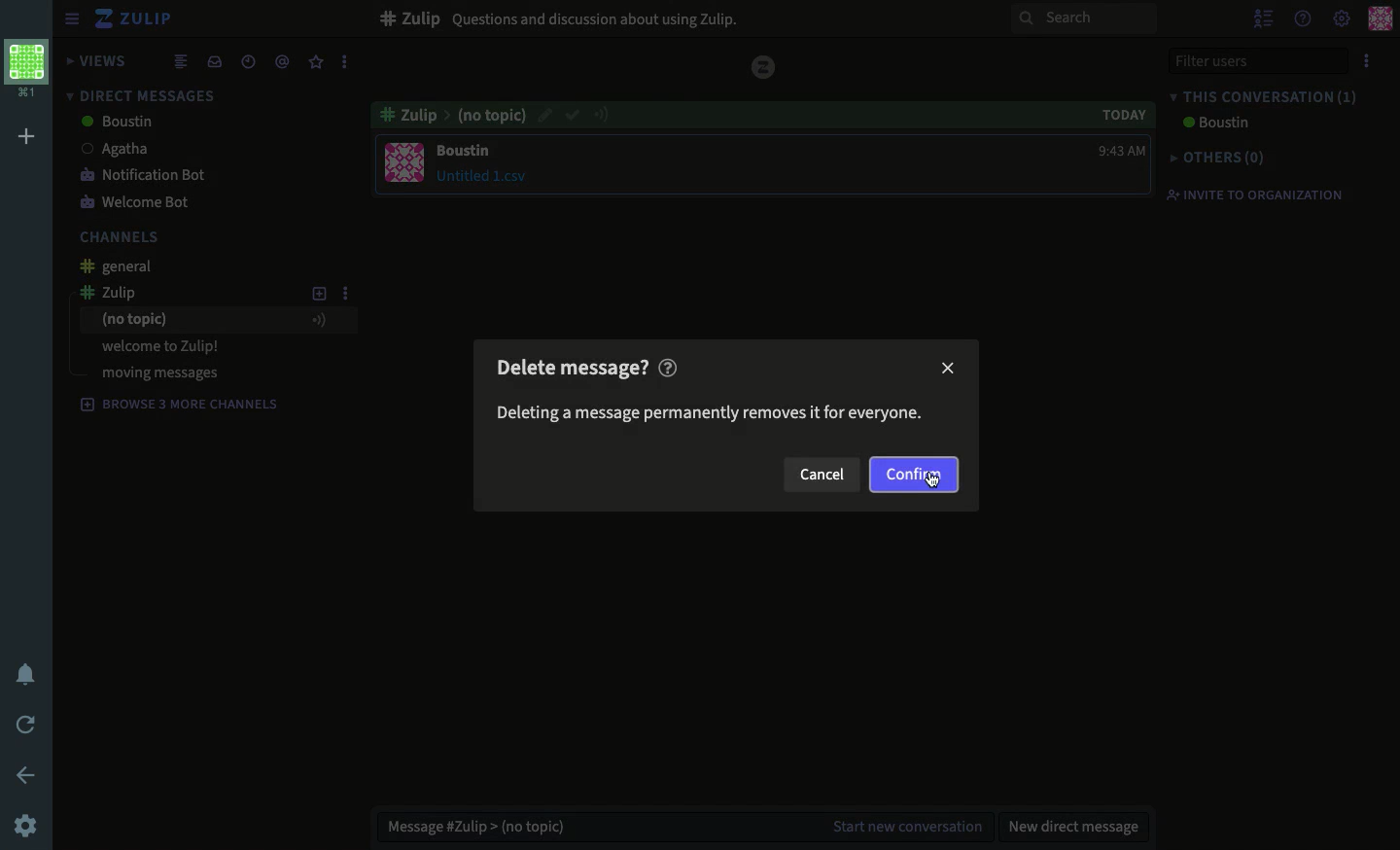 This screenshot has width=1400, height=850. What do you see at coordinates (107, 18) in the screenshot?
I see `zulip logo` at bounding box center [107, 18].